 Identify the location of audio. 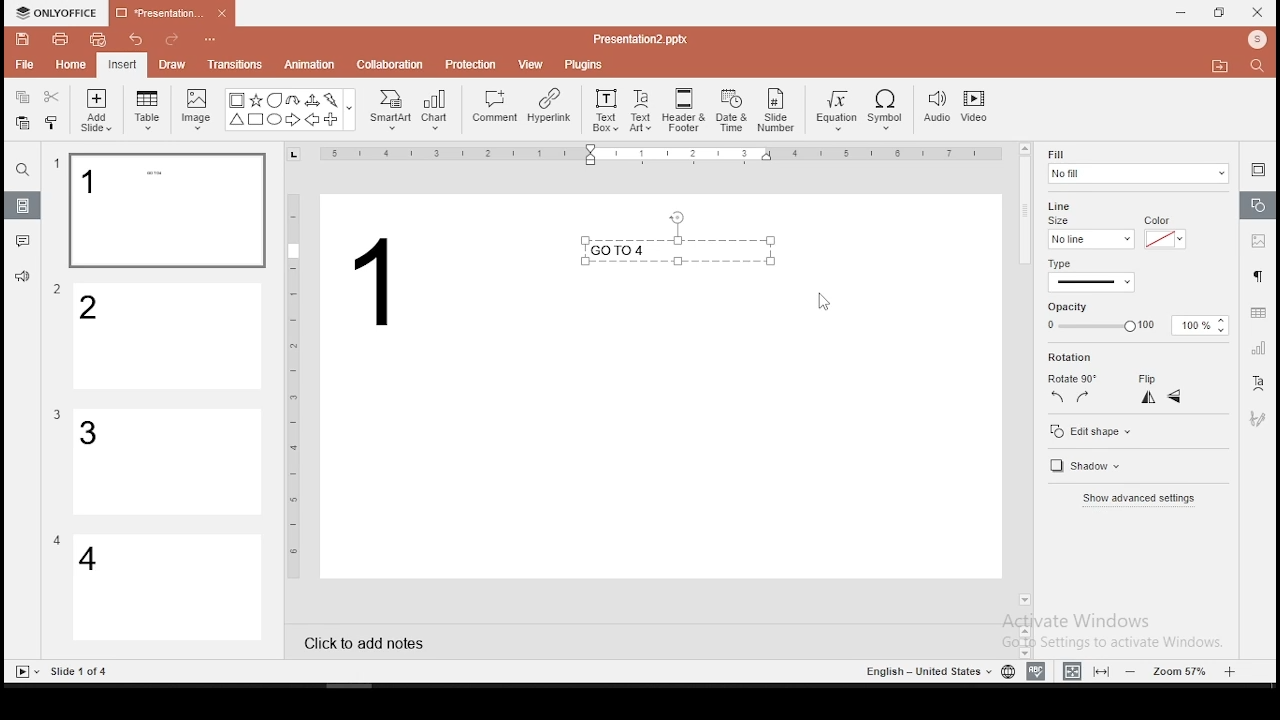
(937, 108).